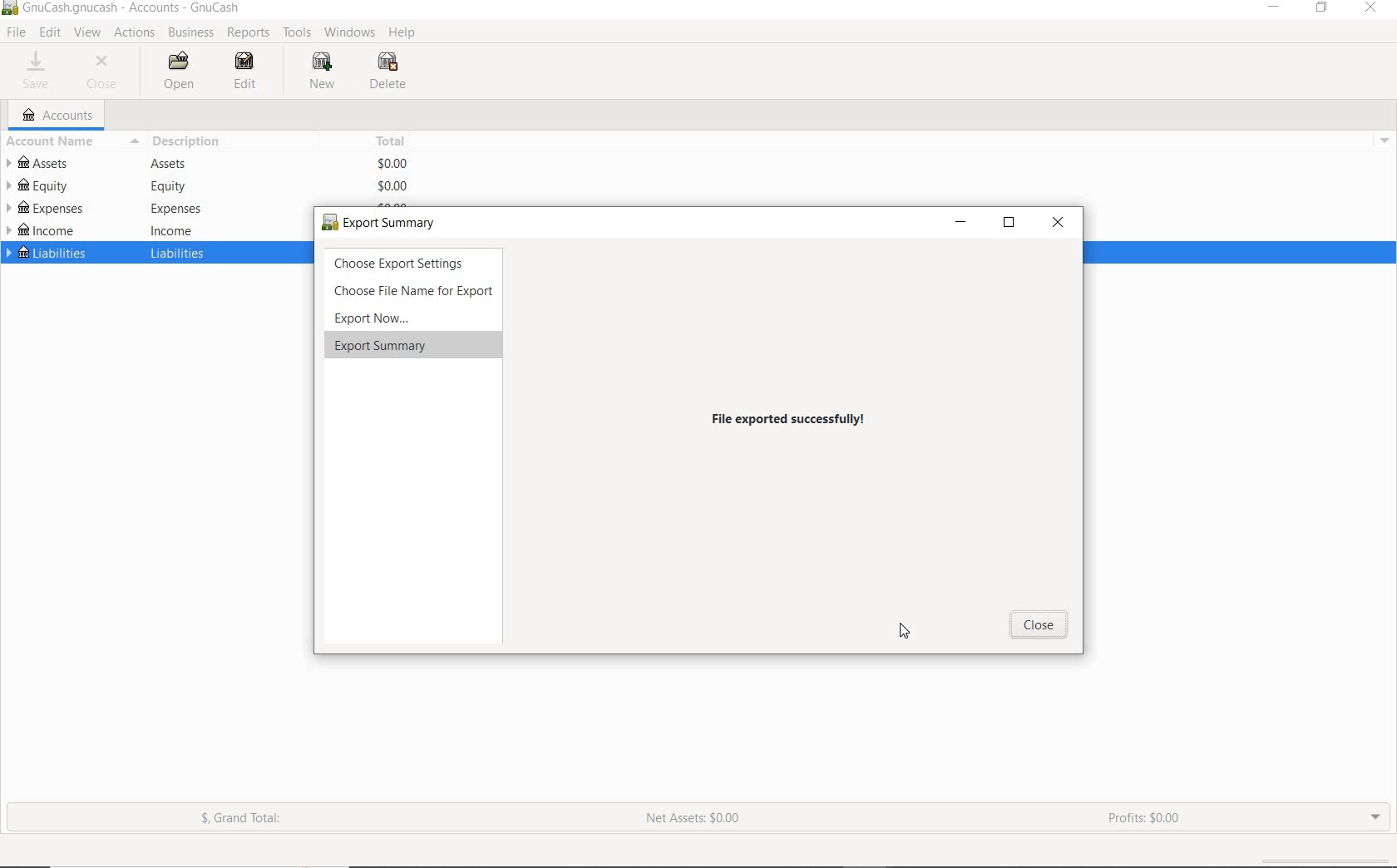 The image size is (1397, 868). Describe the element at coordinates (40, 71) in the screenshot. I see `SAVE` at that location.